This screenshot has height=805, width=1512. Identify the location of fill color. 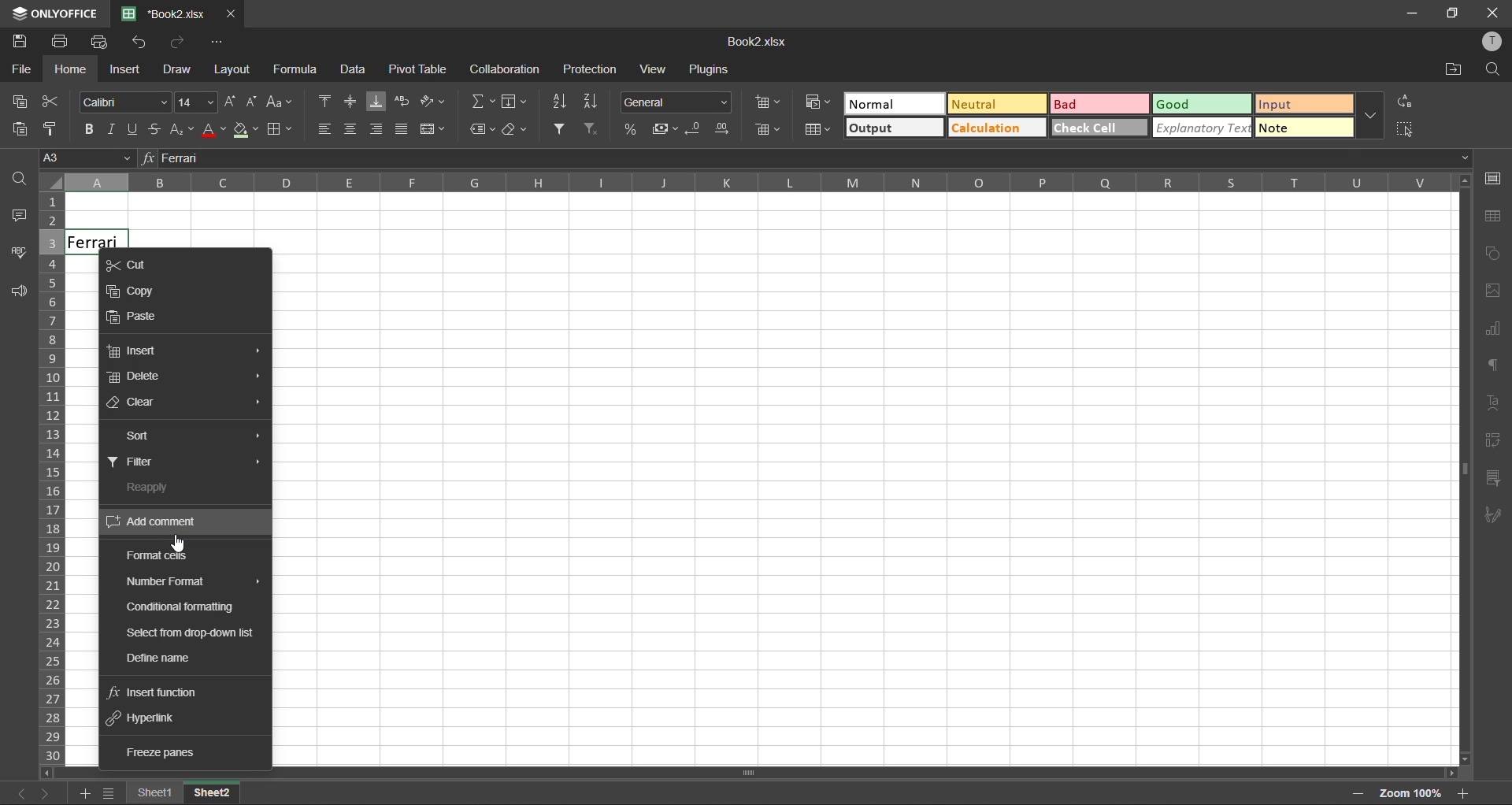
(243, 130).